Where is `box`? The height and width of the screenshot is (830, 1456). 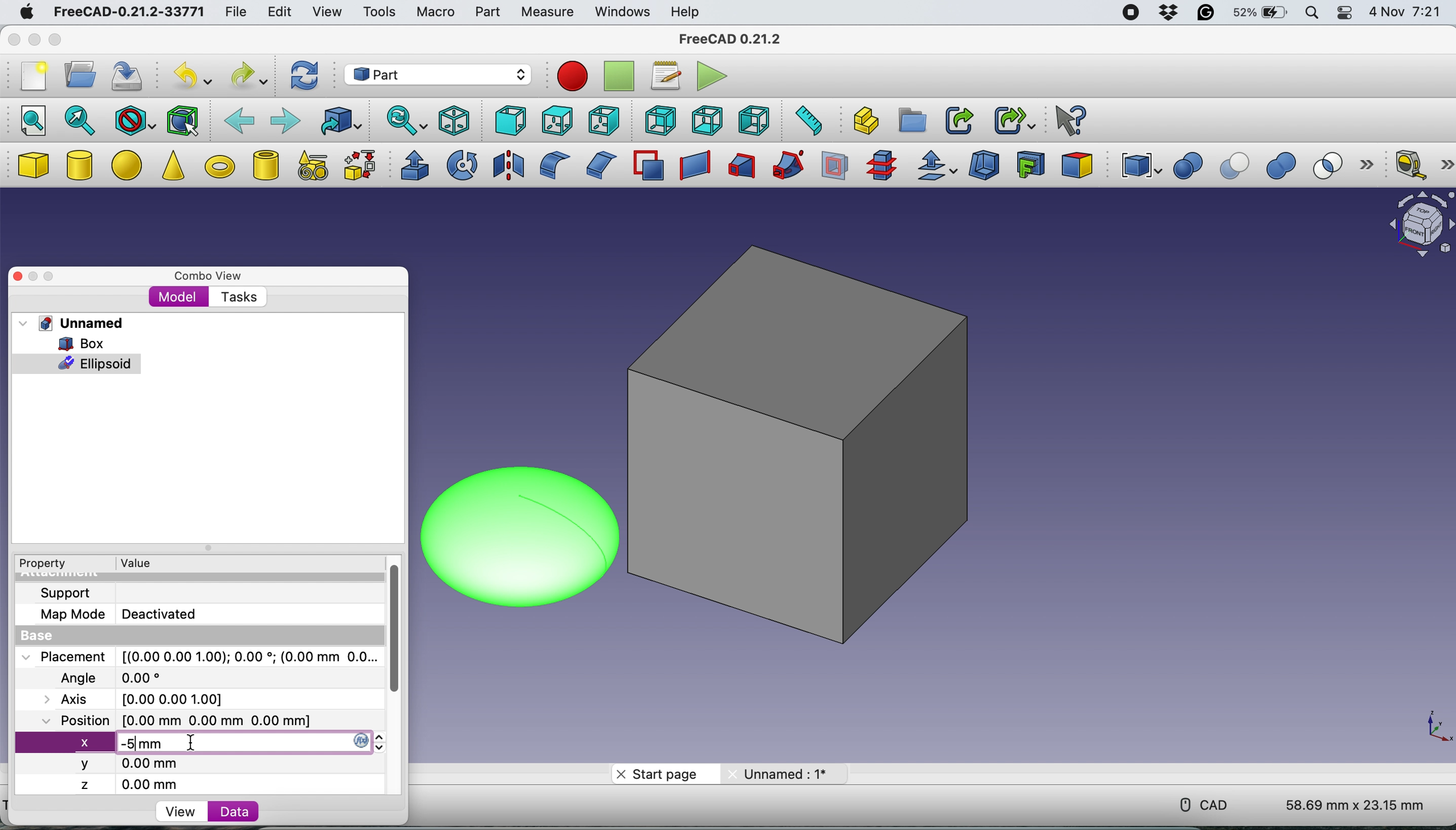 box is located at coordinates (78, 343).